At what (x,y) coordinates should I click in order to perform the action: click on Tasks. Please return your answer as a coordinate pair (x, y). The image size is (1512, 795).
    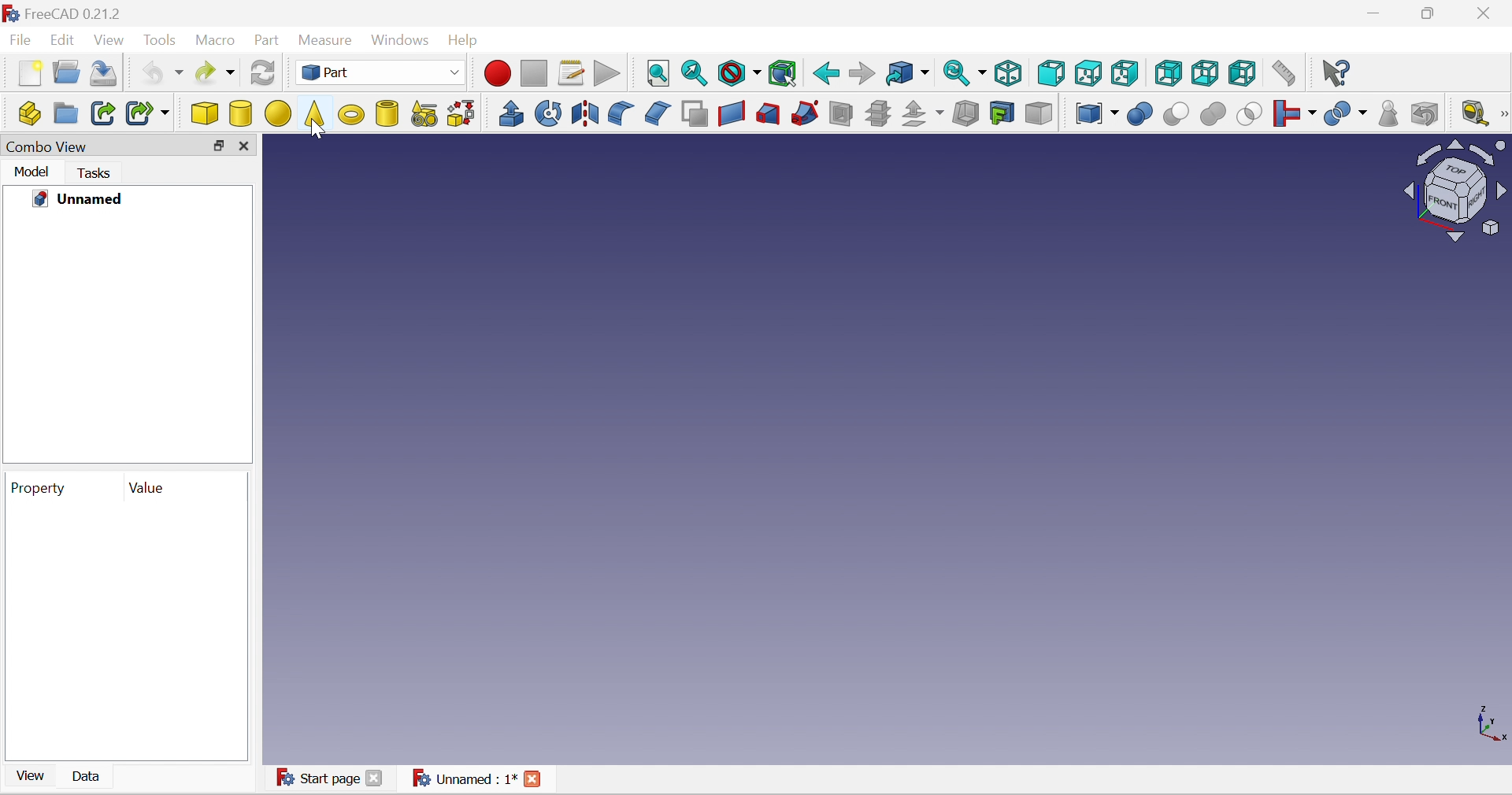
    Looking at the image, I should click on (97, 175).